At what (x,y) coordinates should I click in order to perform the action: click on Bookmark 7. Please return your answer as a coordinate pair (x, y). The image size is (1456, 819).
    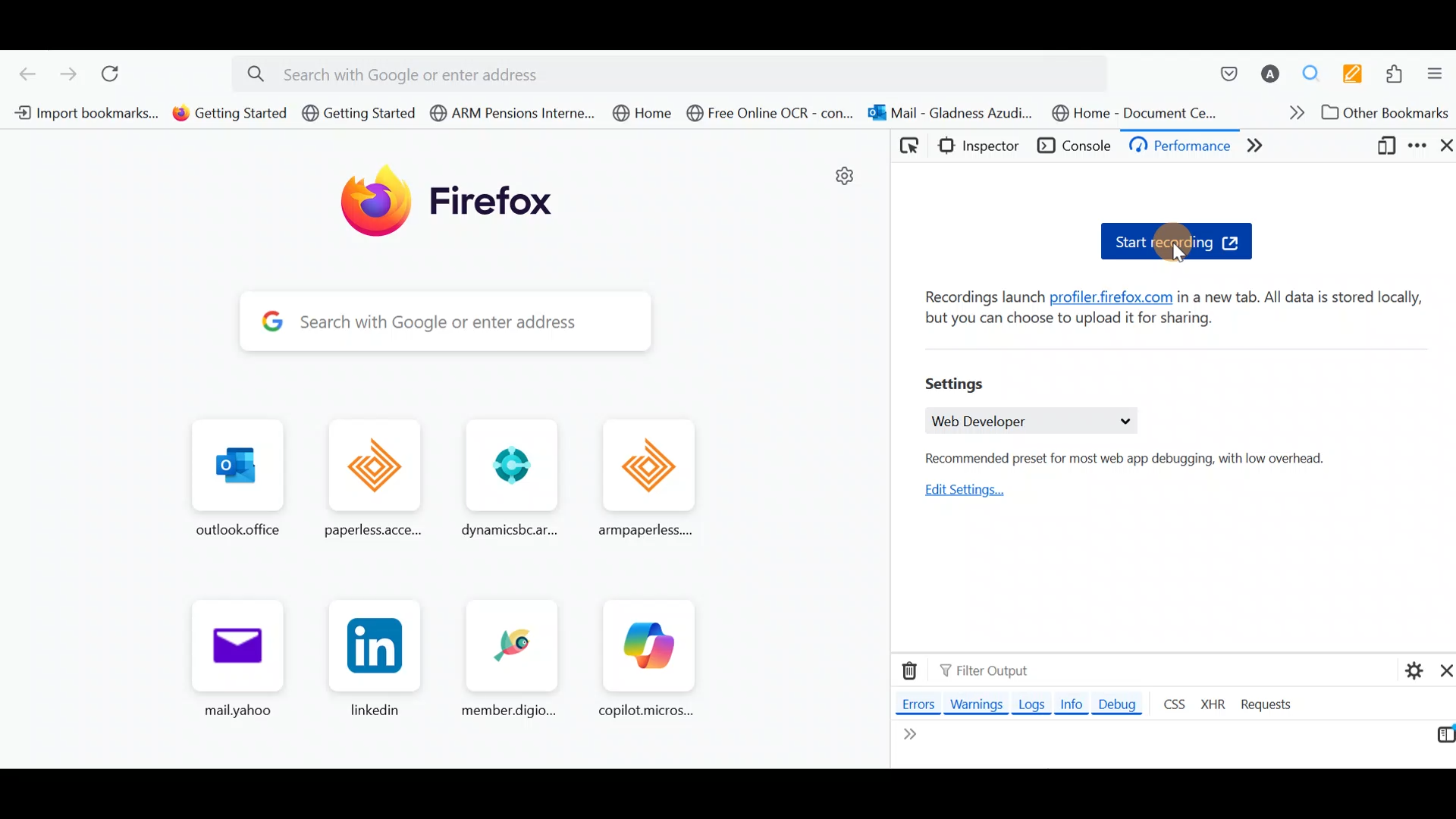
    Looking at the image, I should click on (949, 114).